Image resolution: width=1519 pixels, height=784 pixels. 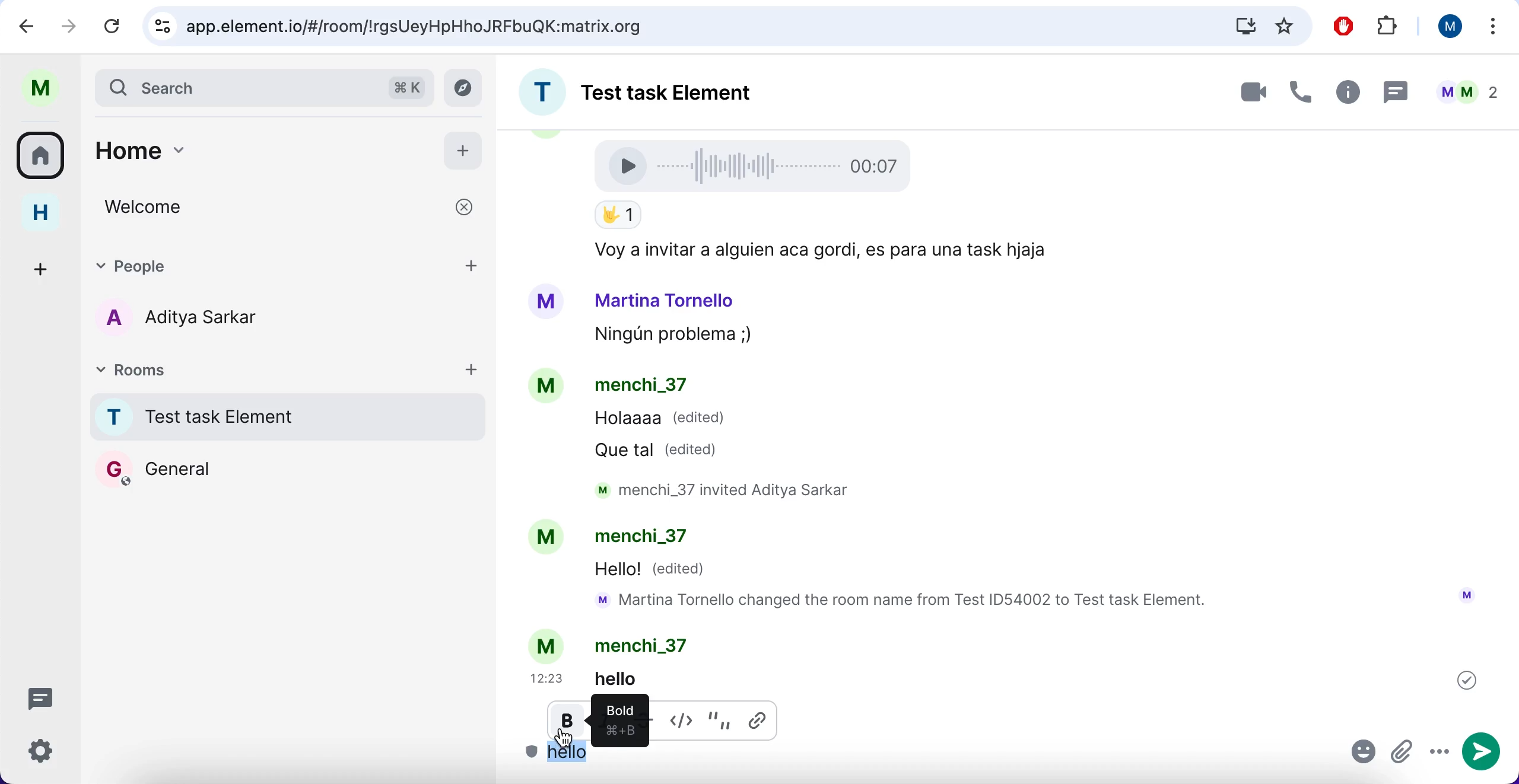 What do you see at coordinates (659, 88) in the screenshot?
I see `room name` at bounding box center [659, 88].